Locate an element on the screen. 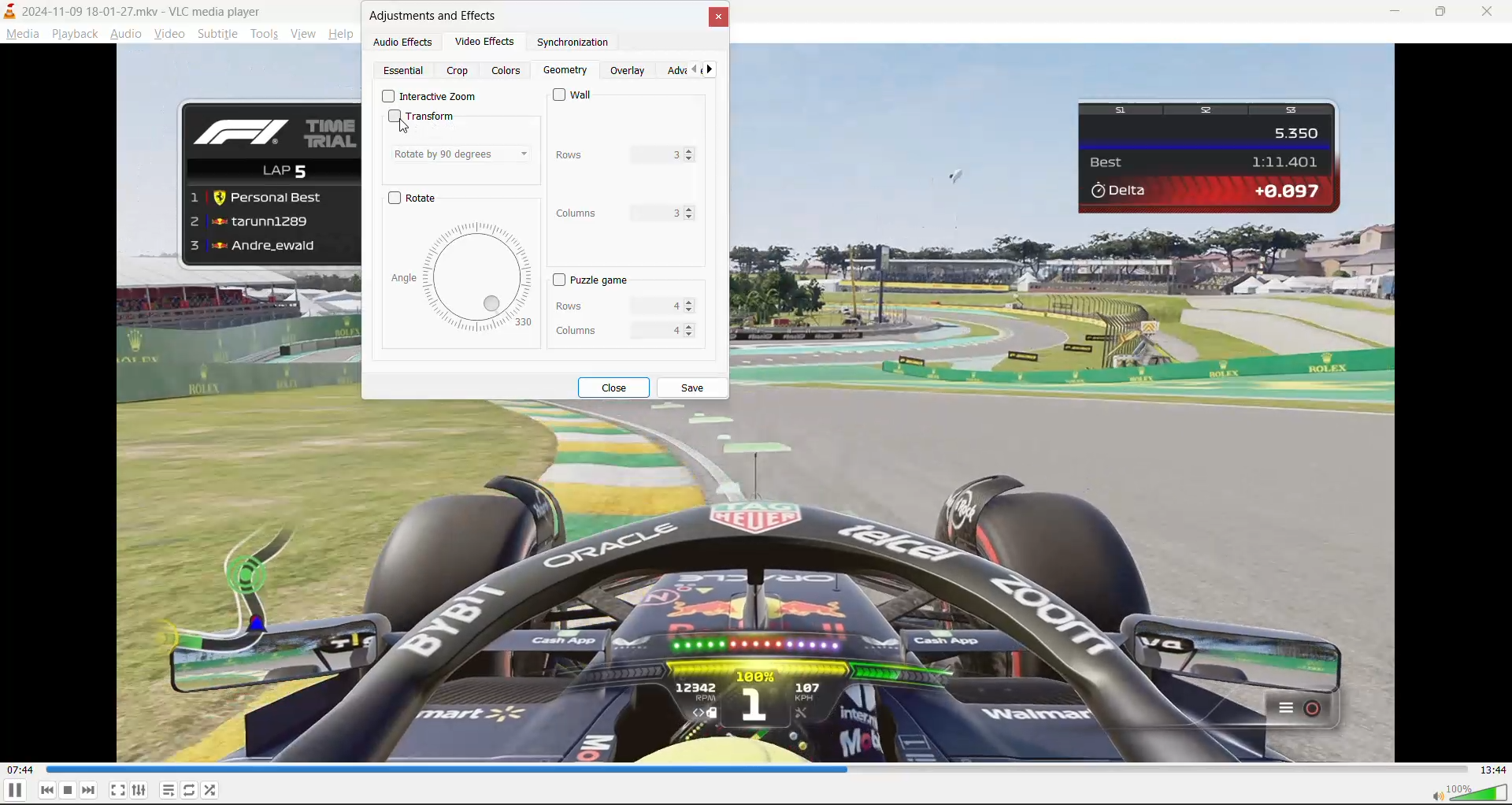 The height and width of the screenshot is (805, 1512). transform is located at coordinates (421, 116).